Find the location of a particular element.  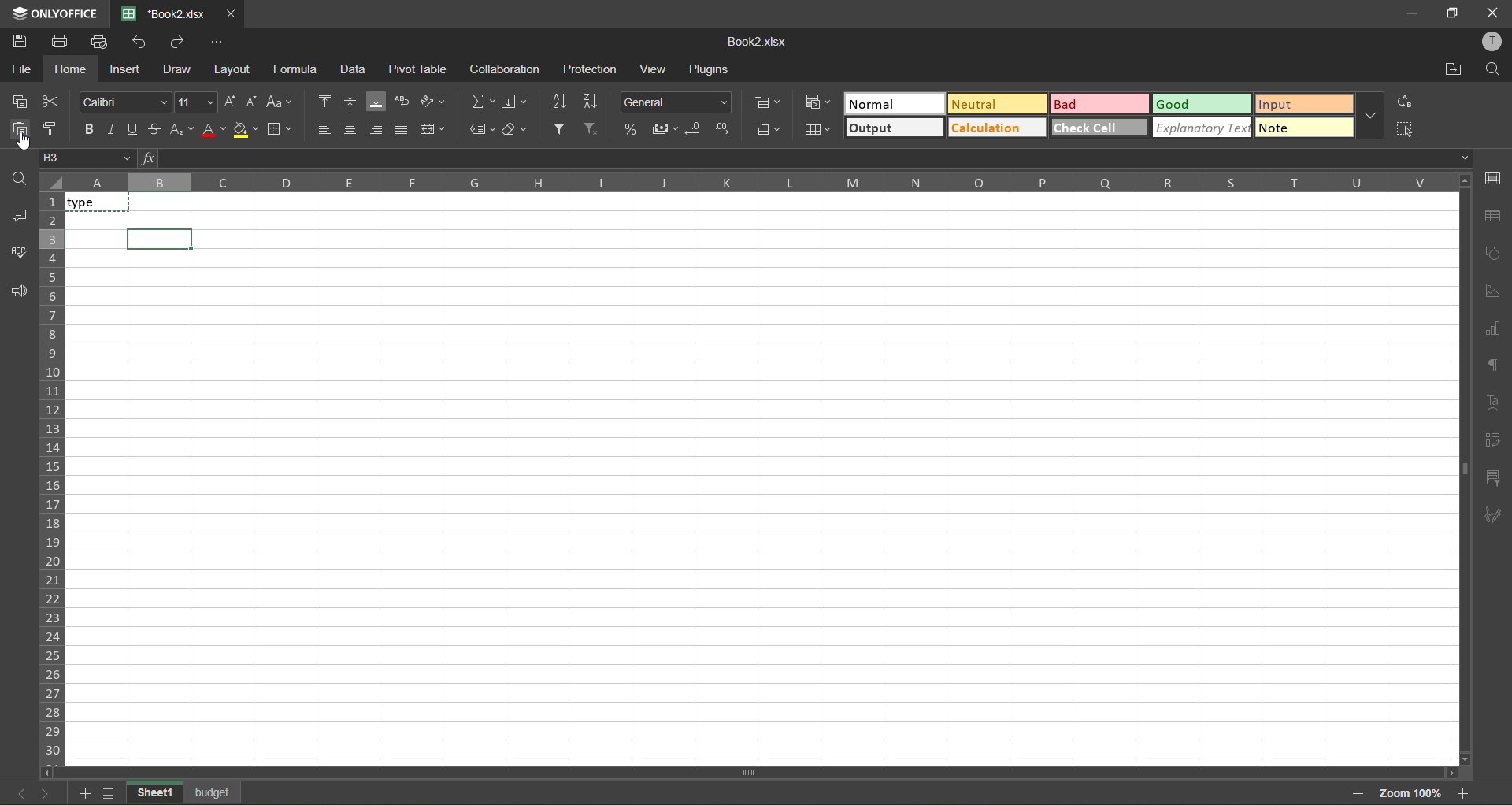

conditional formatting is located at coordinates (818, 102).